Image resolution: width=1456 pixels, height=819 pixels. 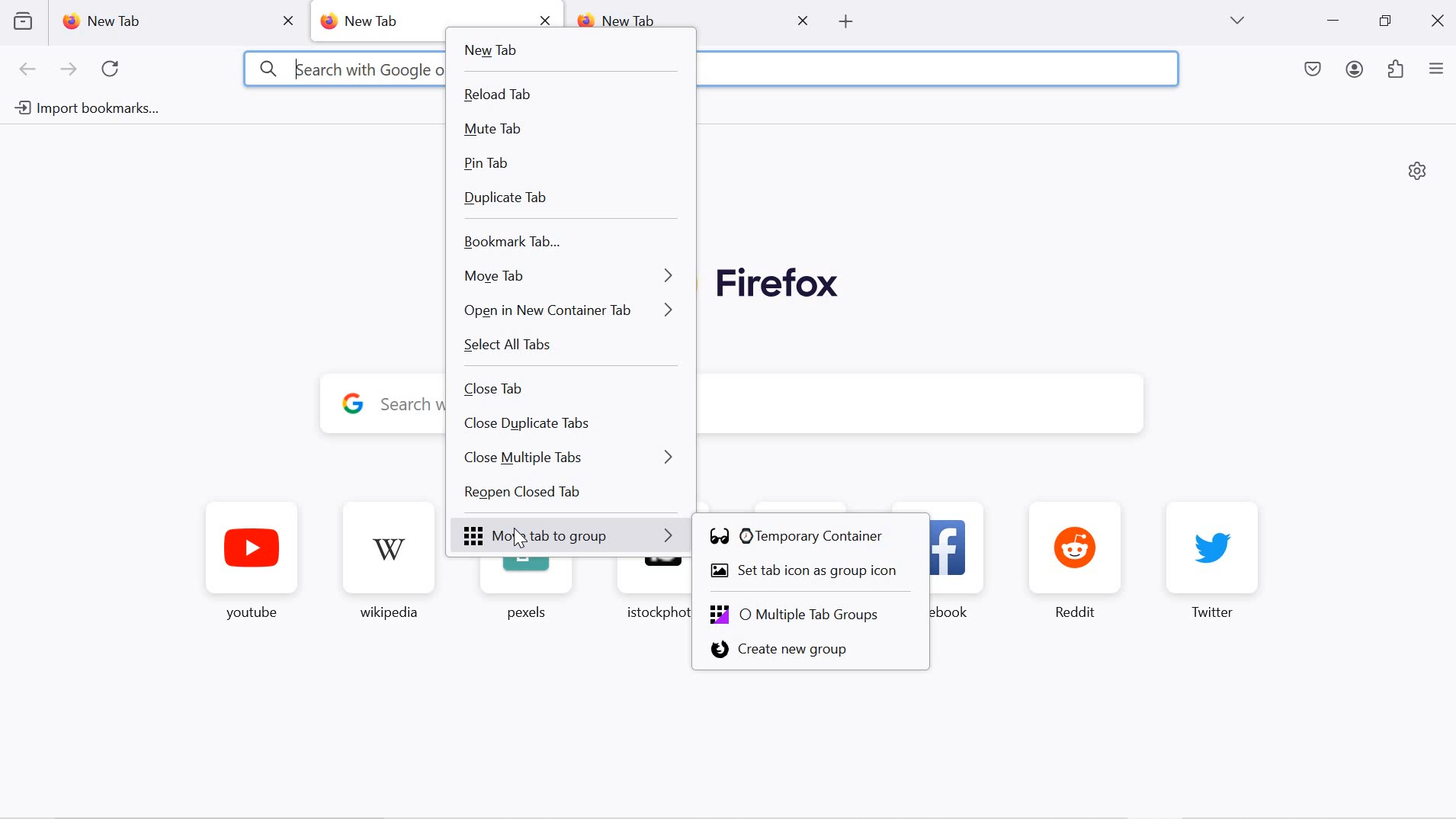 I want to click on reload tab, so click(x=572, y=96).